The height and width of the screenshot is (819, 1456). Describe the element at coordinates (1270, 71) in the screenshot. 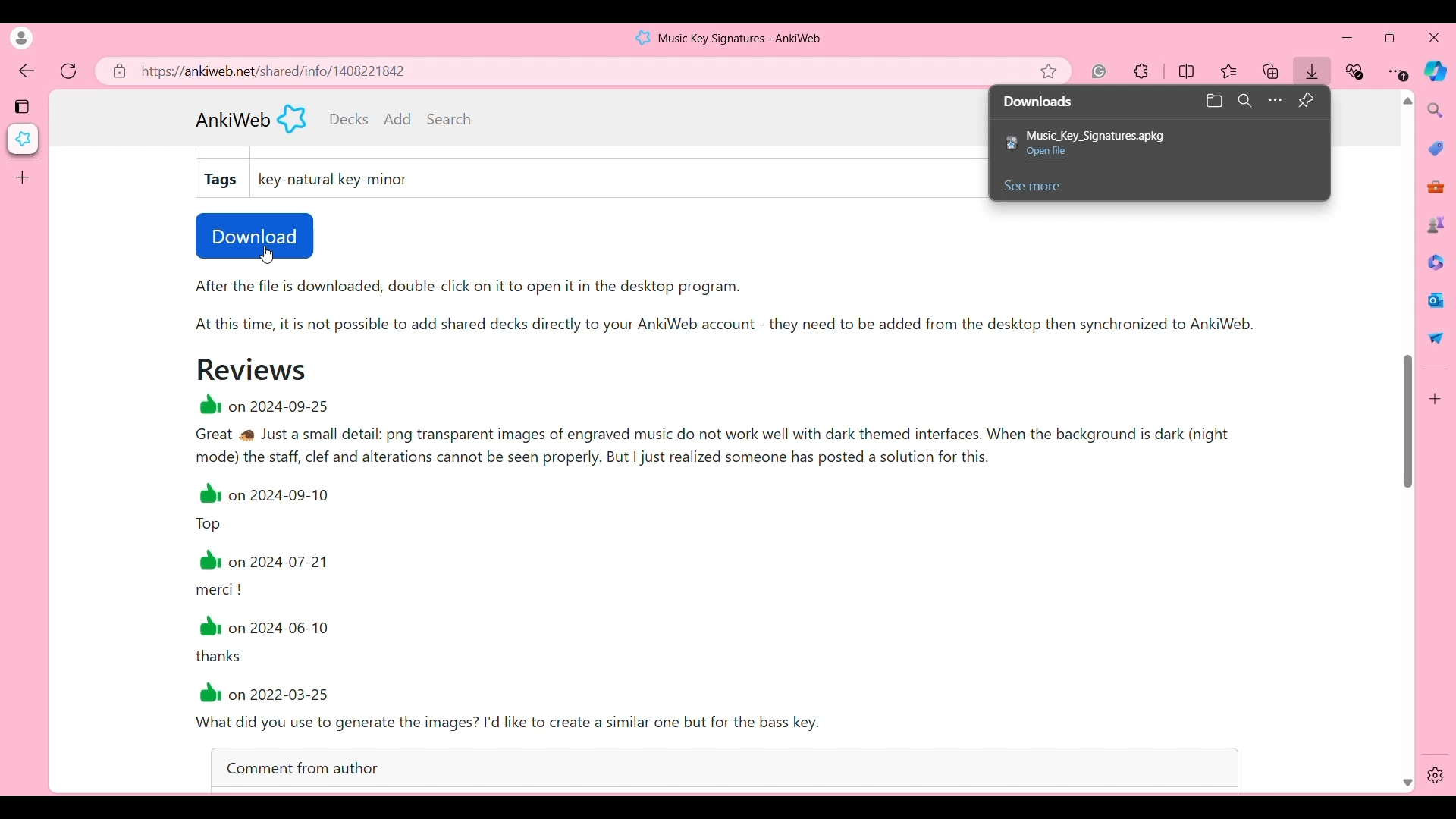

I see `Favourites` at that location.